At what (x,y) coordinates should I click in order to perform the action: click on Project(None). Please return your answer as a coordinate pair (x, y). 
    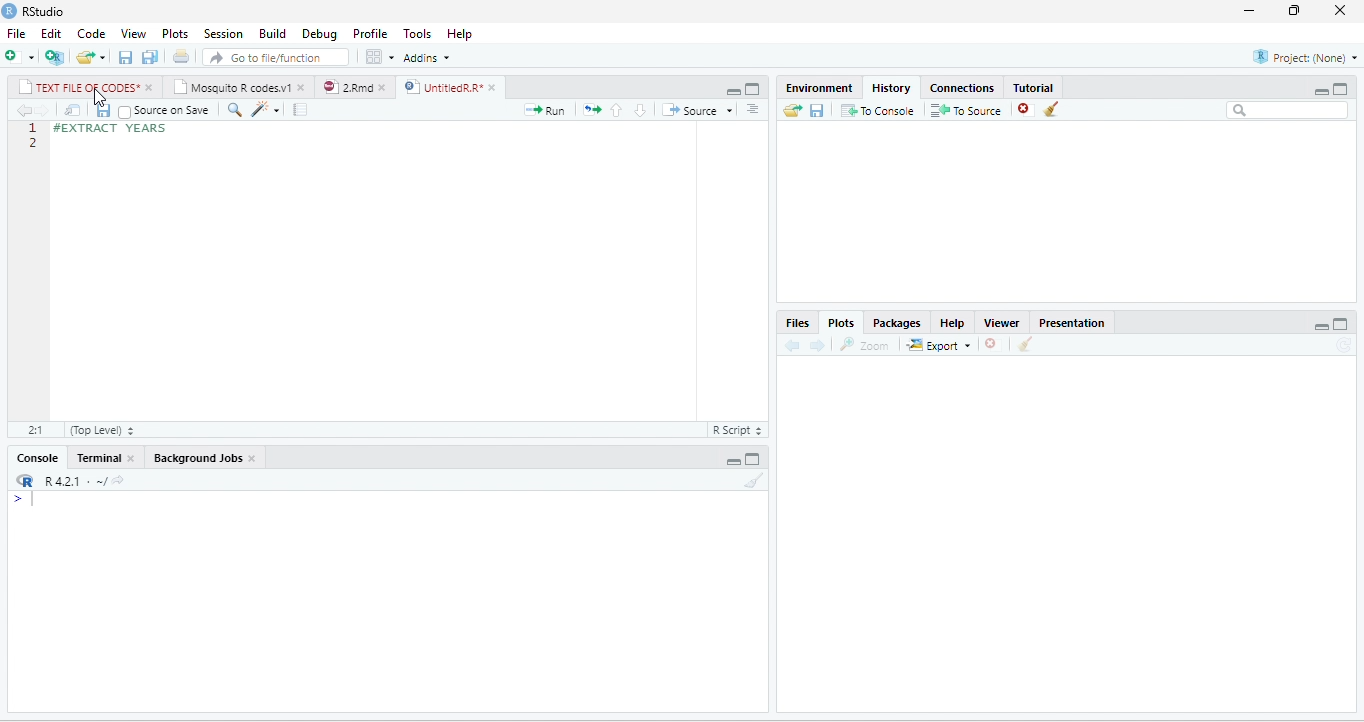
    Looking at the image, I should click on (1305, 57).